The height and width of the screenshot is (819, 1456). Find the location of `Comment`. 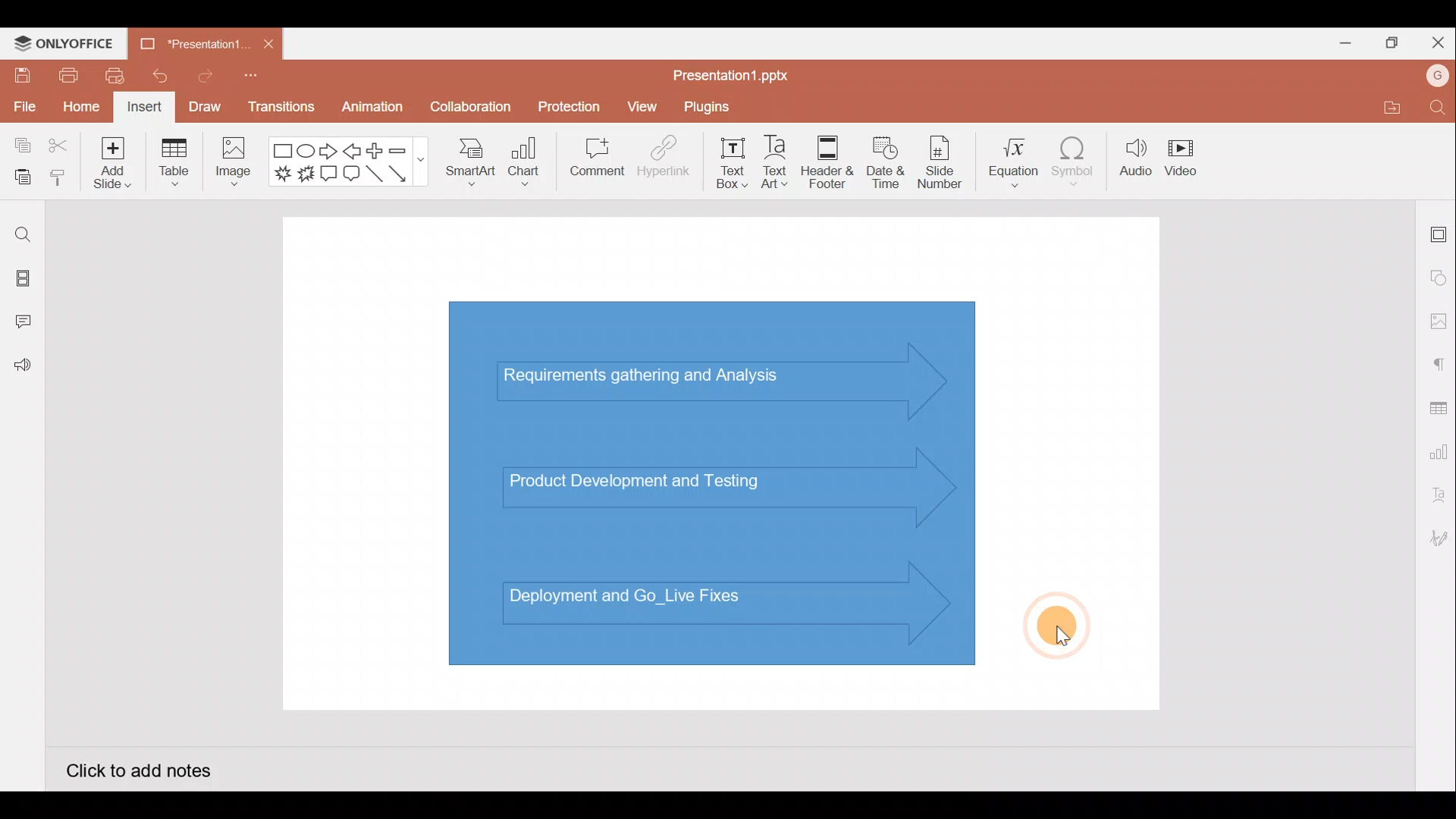

Comment is located at coordinates (591, 160).